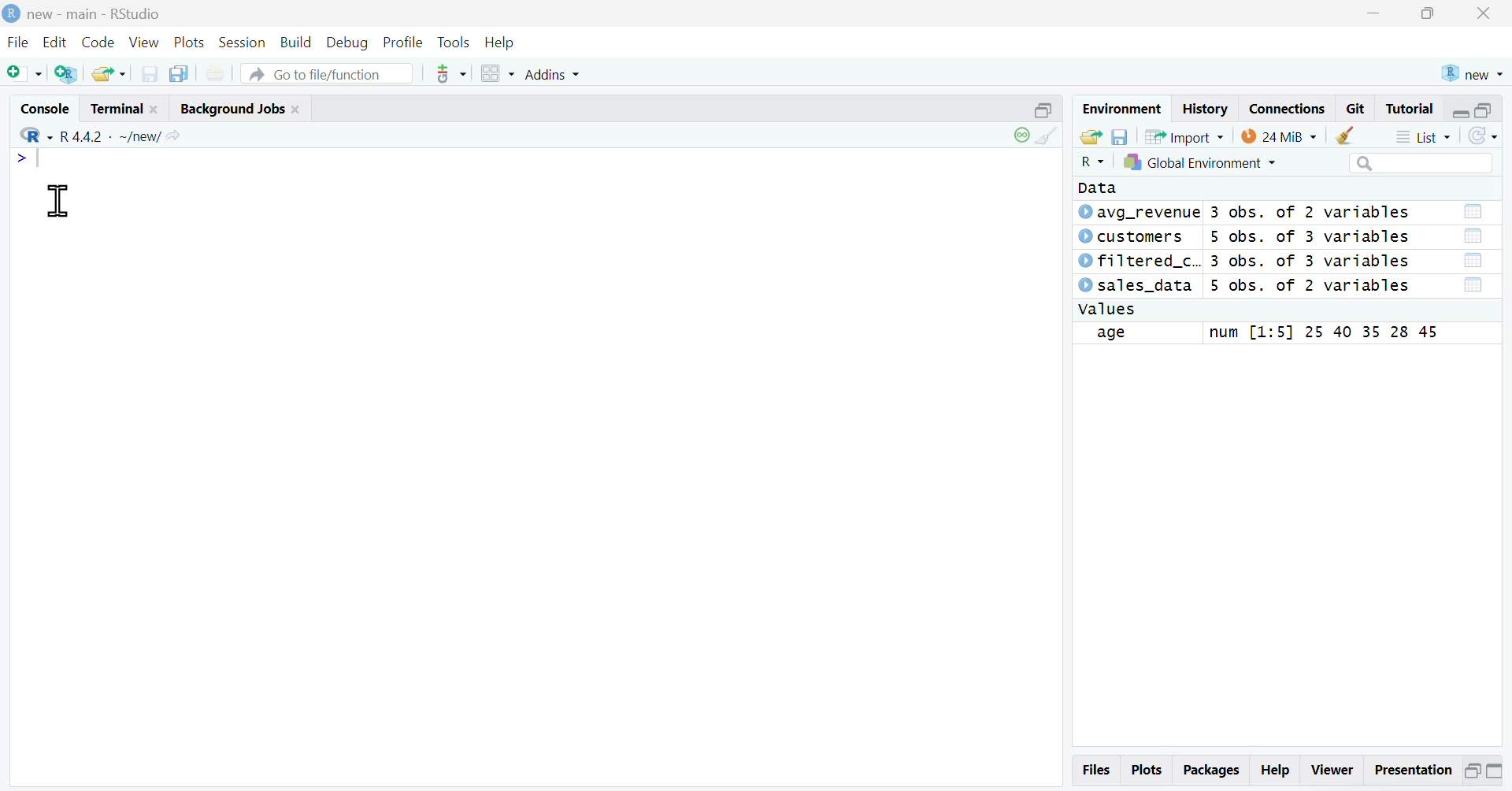 Image resolution: width=1512 pixels, height=791 pixels. I want to click on field name, so click(1136, 334).